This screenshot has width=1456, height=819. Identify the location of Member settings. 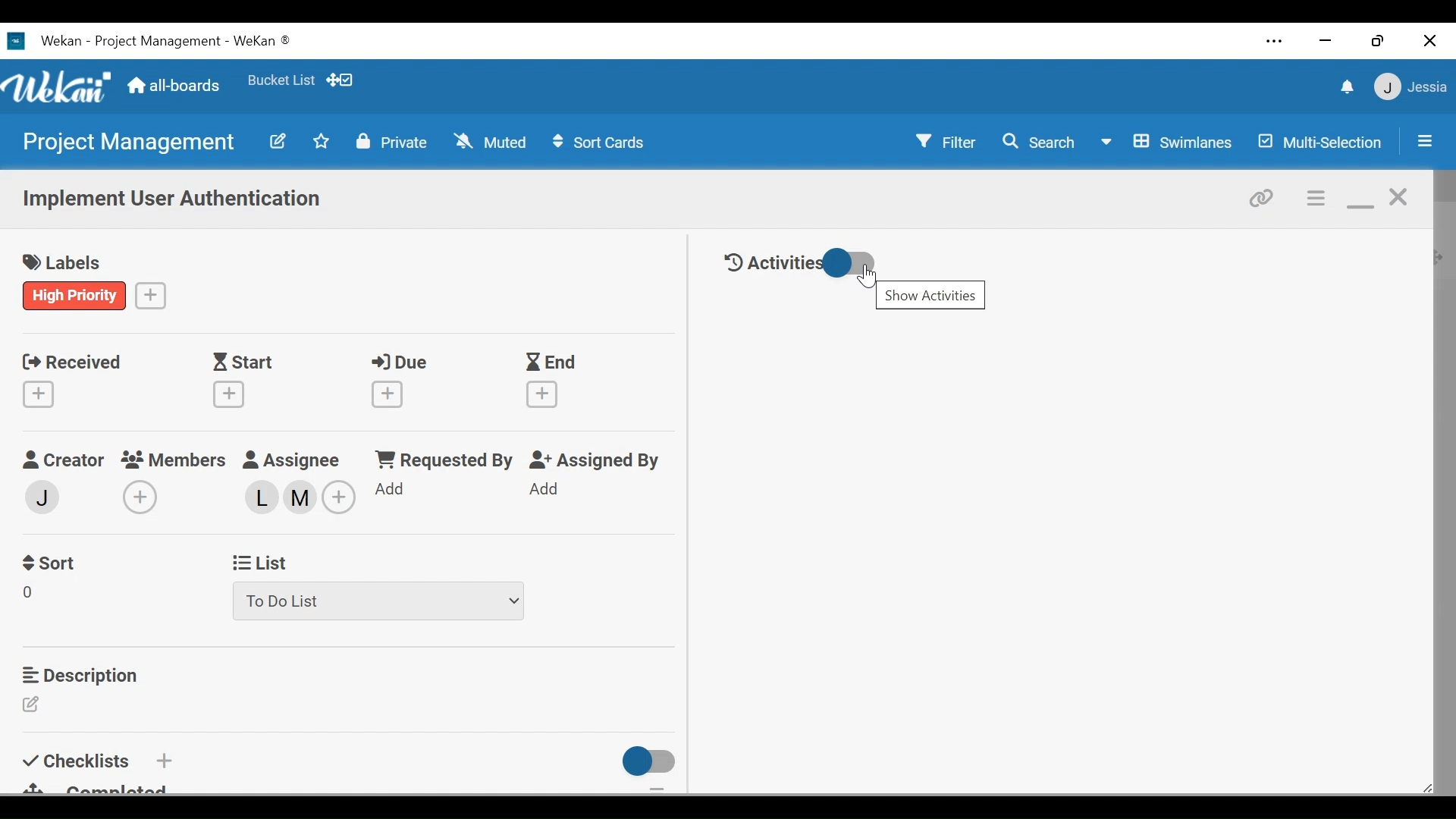
(1407, 87).